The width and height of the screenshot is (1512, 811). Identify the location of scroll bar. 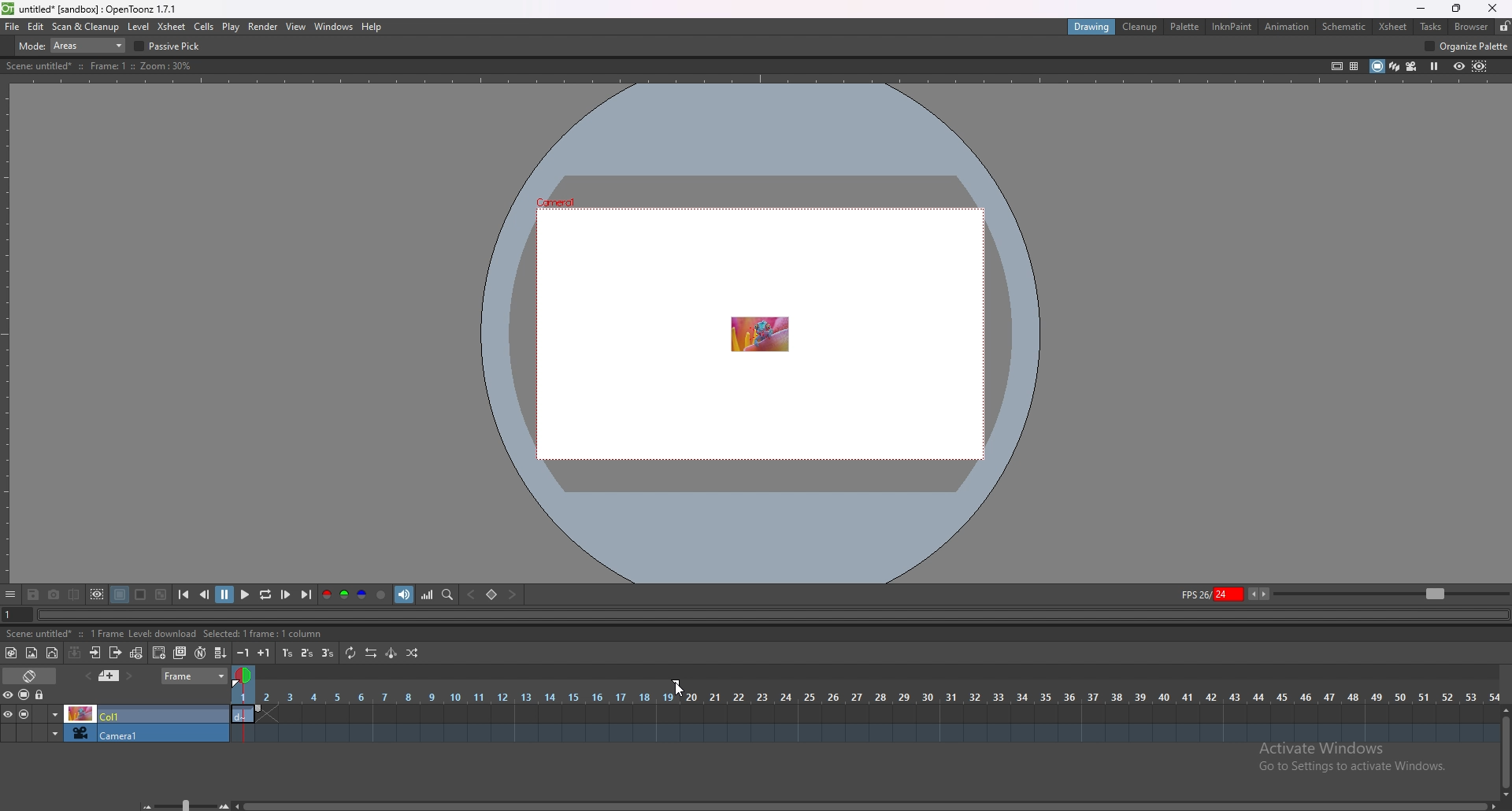
(865, 805).